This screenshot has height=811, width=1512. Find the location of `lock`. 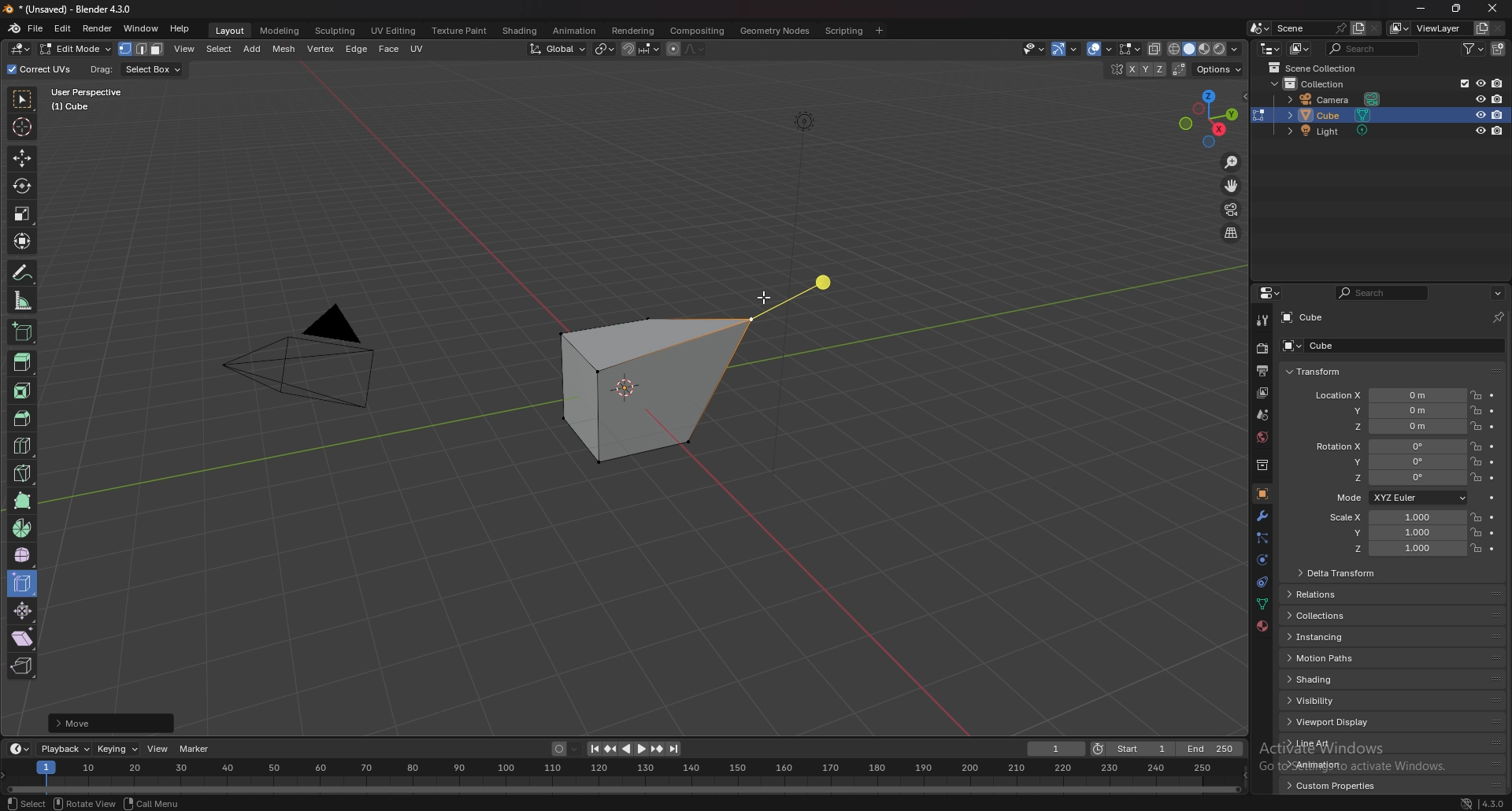

lock is located at coordinates (1476, 446).